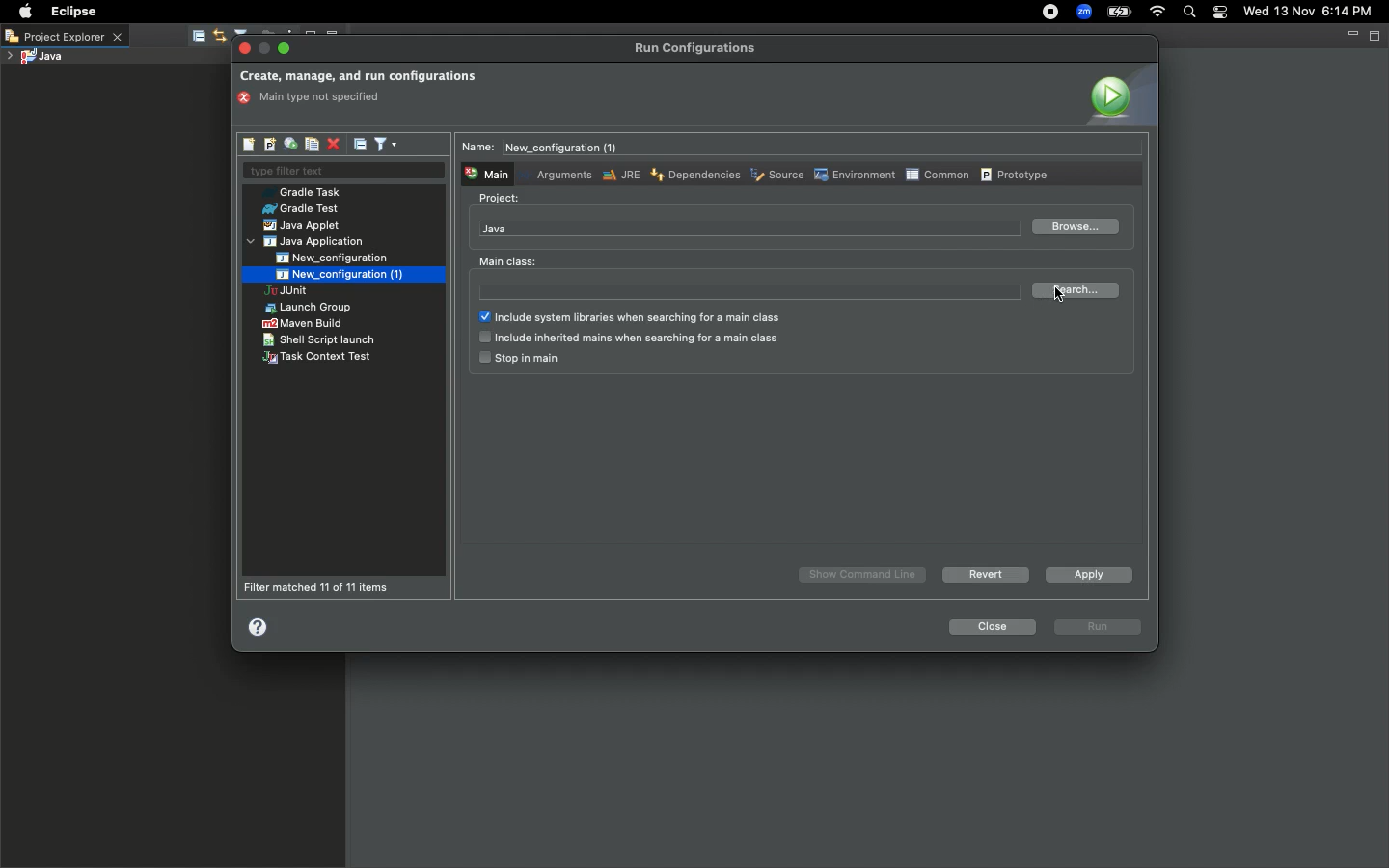  What do you see at coordinates (358, 77) in the screenshot?
I see `Create manage and run configurations` at bounding box center [358, 77].